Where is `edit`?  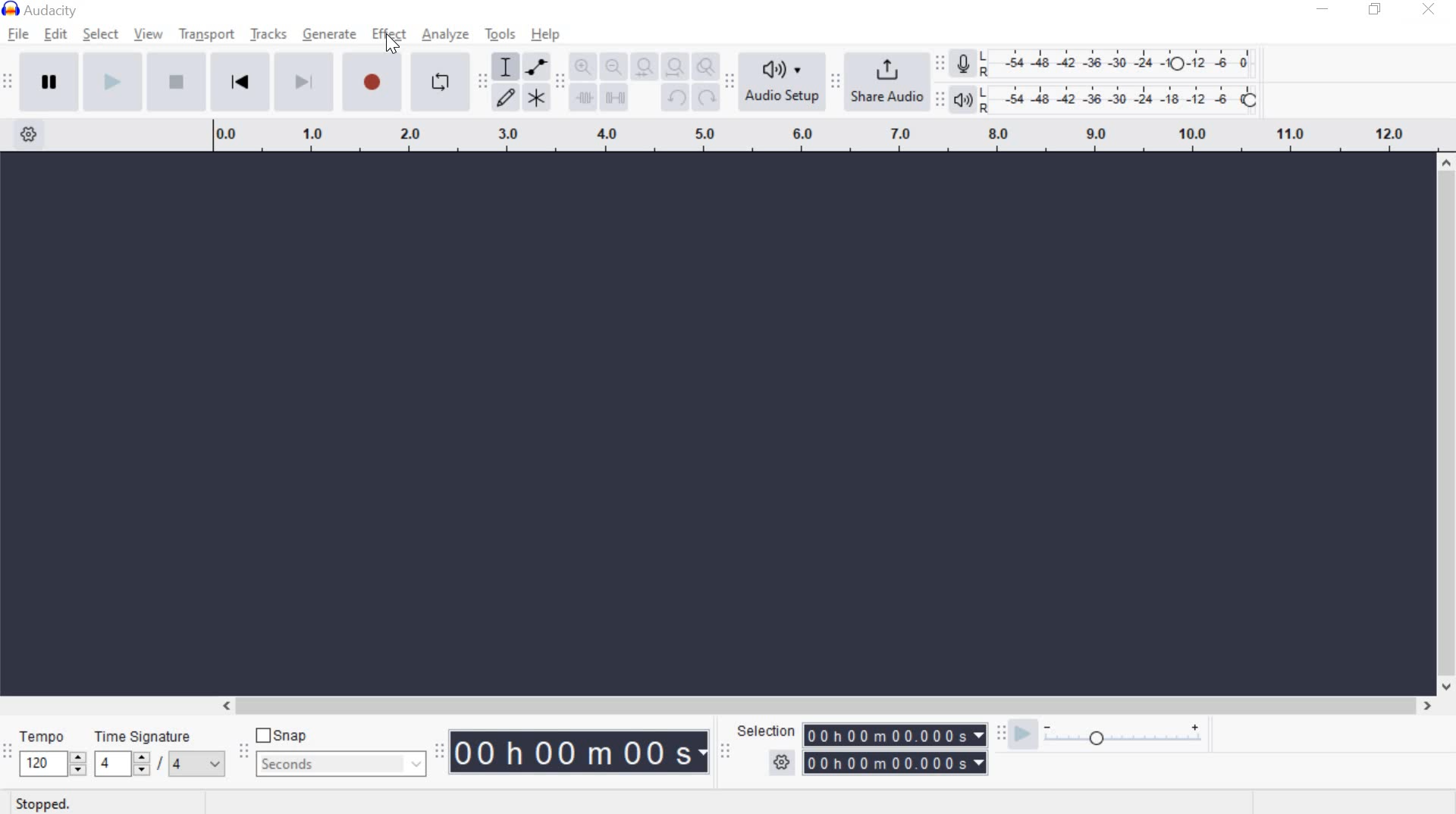 edit is located at coordinates (55, 33).